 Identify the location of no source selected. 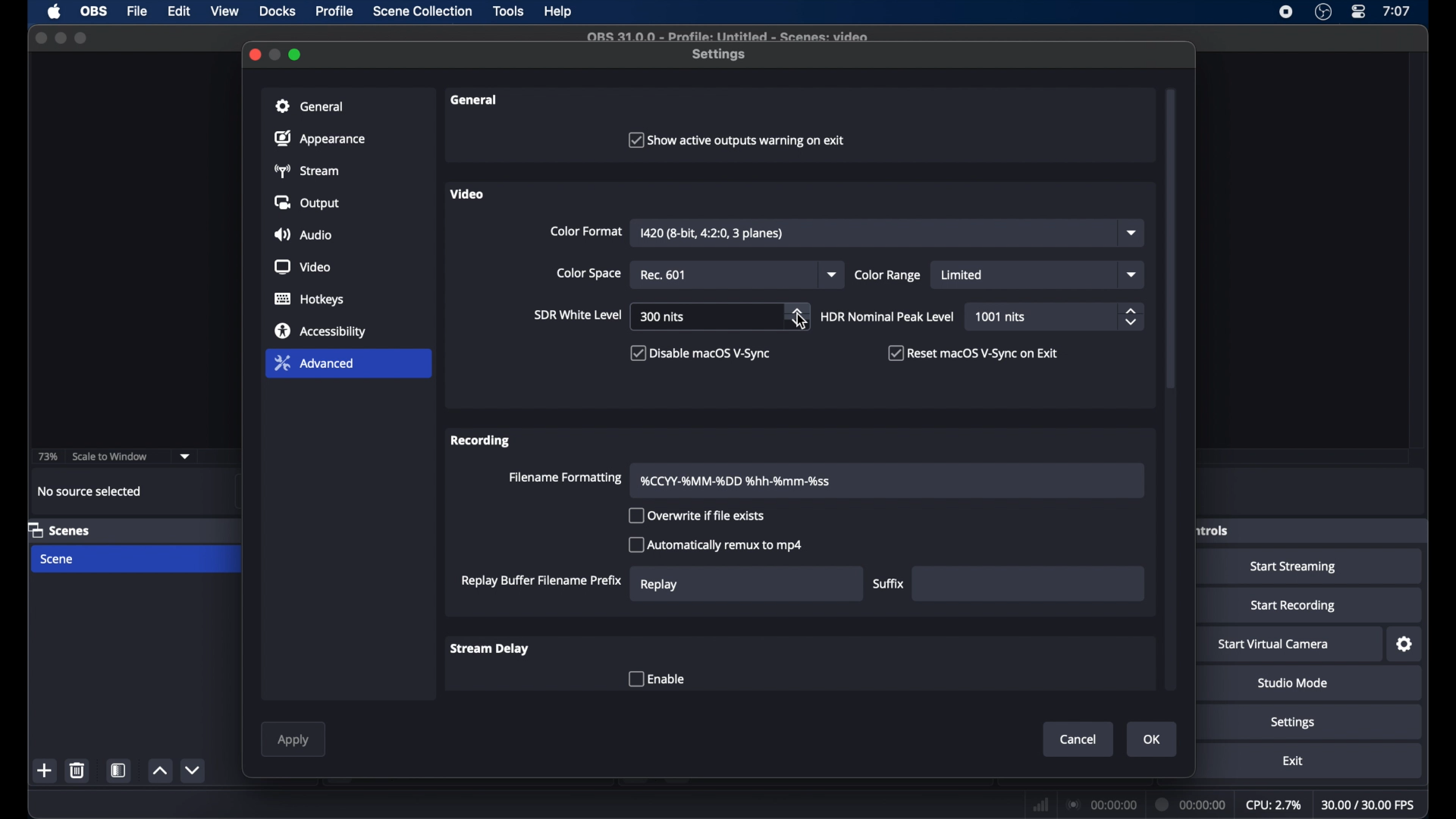
(89, 492).